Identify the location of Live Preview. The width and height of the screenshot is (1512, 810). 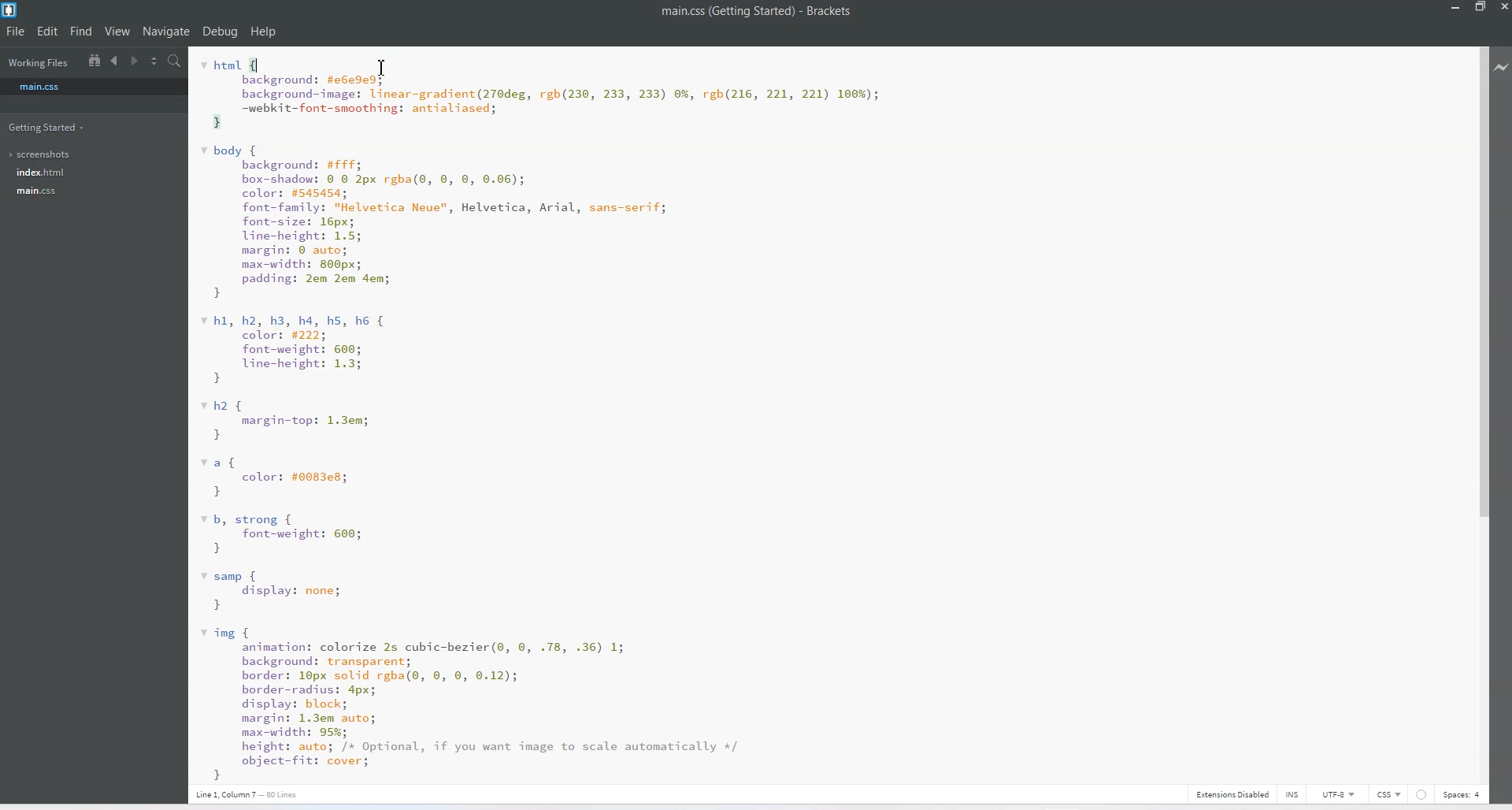
(1502, 65).